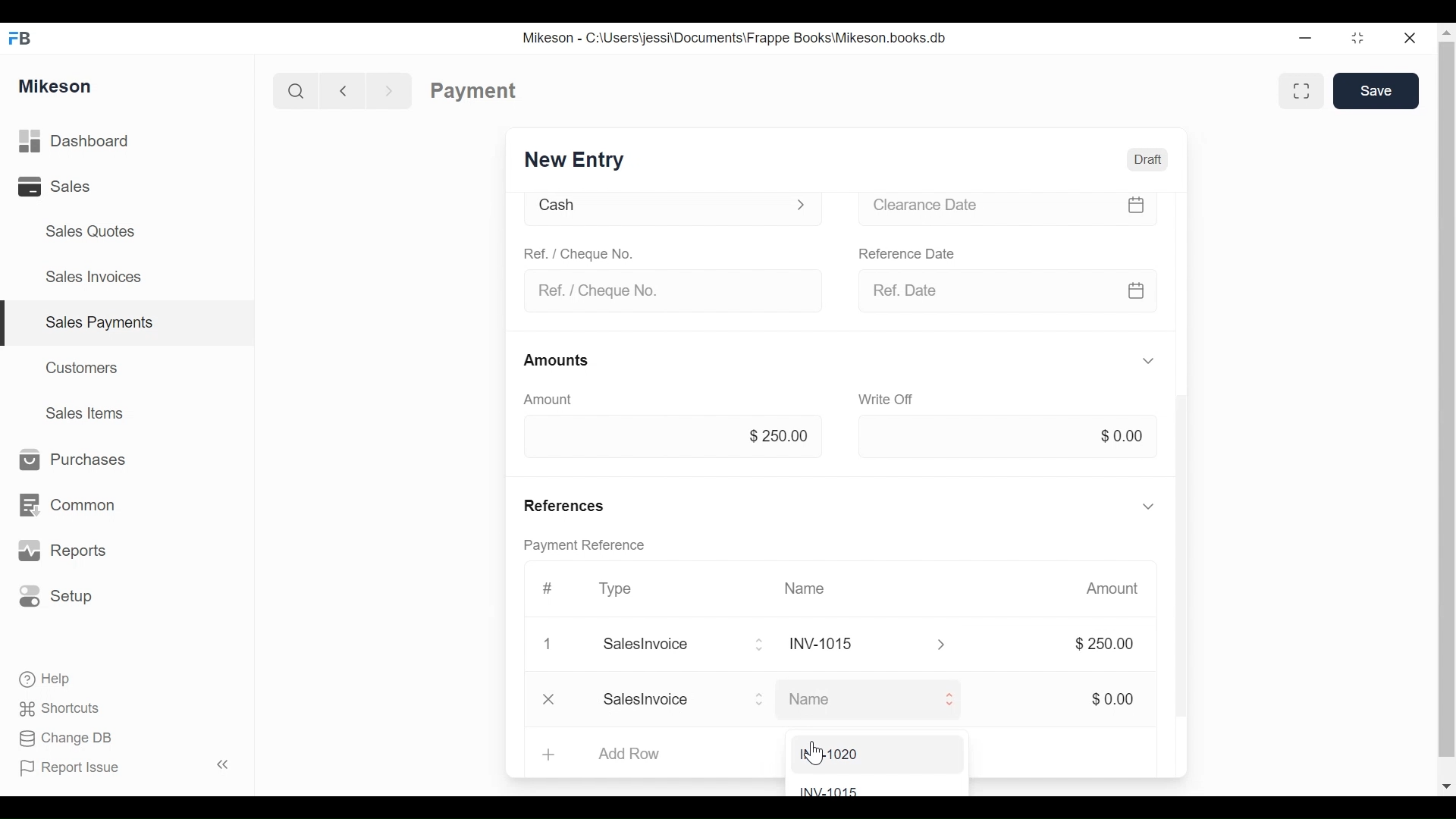 This screenshot has width=1456, height=819. Describe the element at coordinates (1375, 92) in the screenshot. I see `Save` at that location.